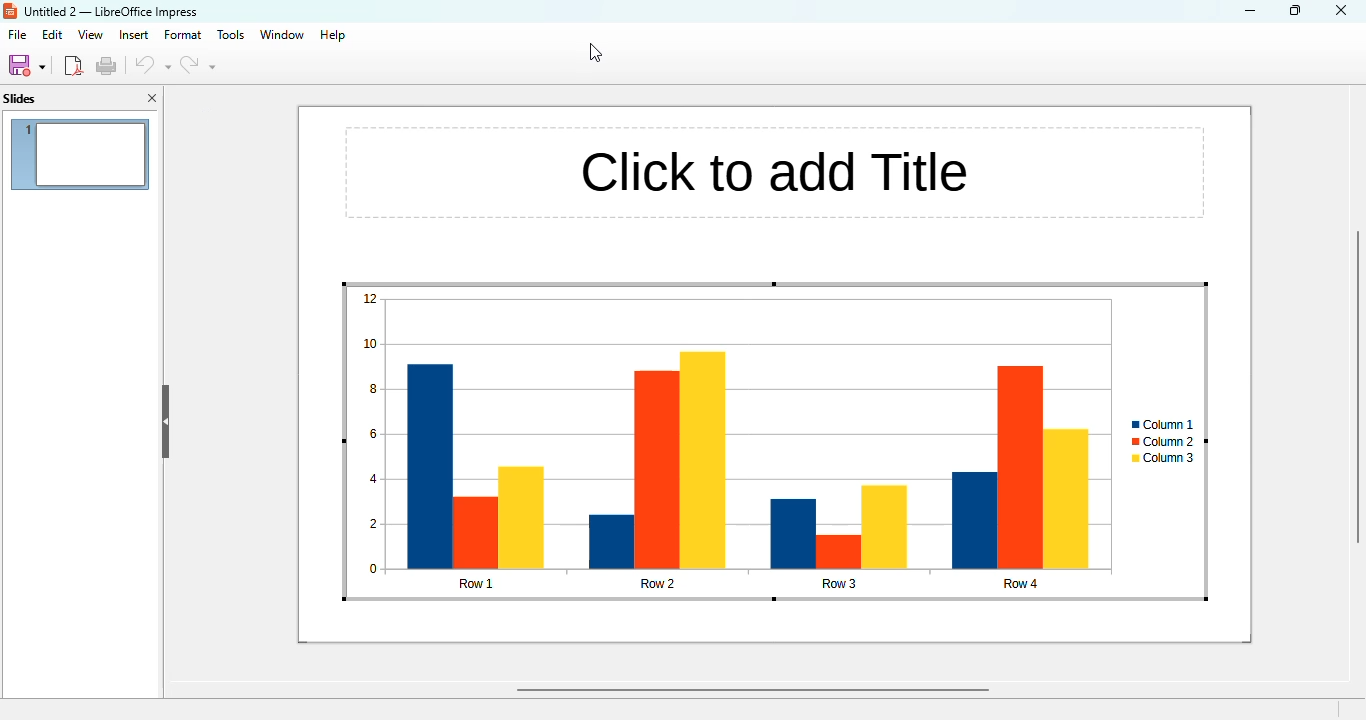 The height and width of the screenshot is (720, 1366). Describe the element at coordinates (133, 35) in the screenshot. I see `insert` at that location.